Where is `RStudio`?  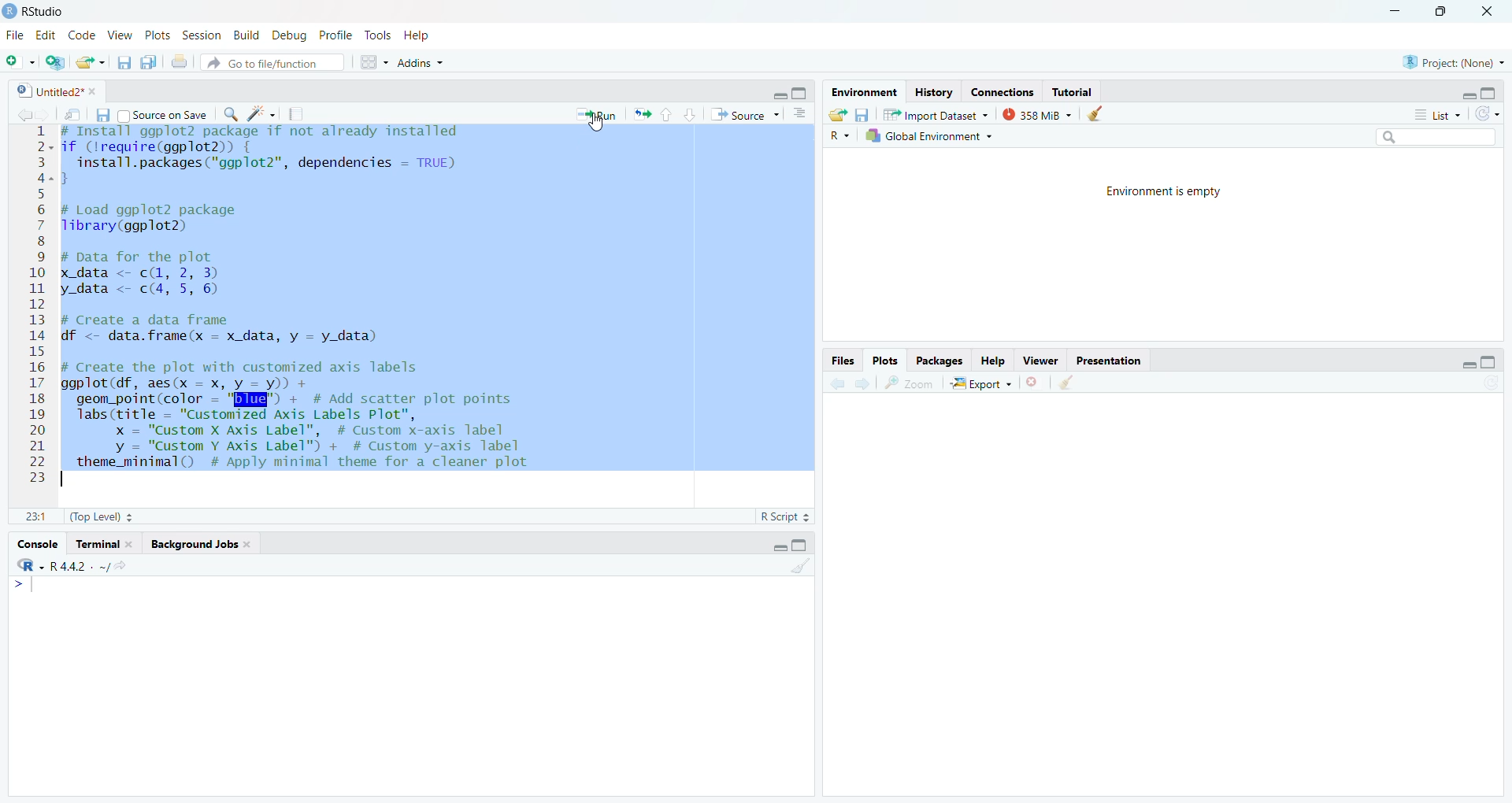
RStudio is located at coordinates (38, 9).